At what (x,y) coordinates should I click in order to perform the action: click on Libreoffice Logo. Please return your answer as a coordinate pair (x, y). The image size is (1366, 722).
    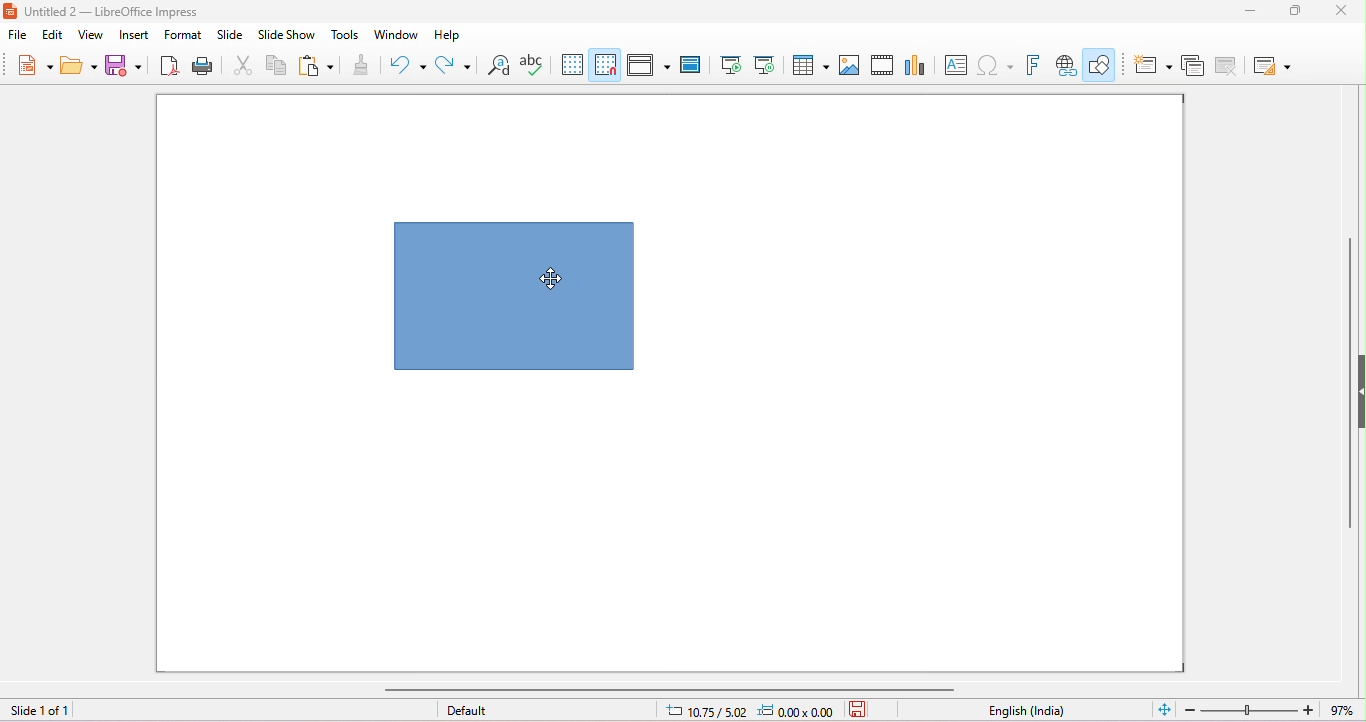
    Looking at the image, I should click on (9, 10).